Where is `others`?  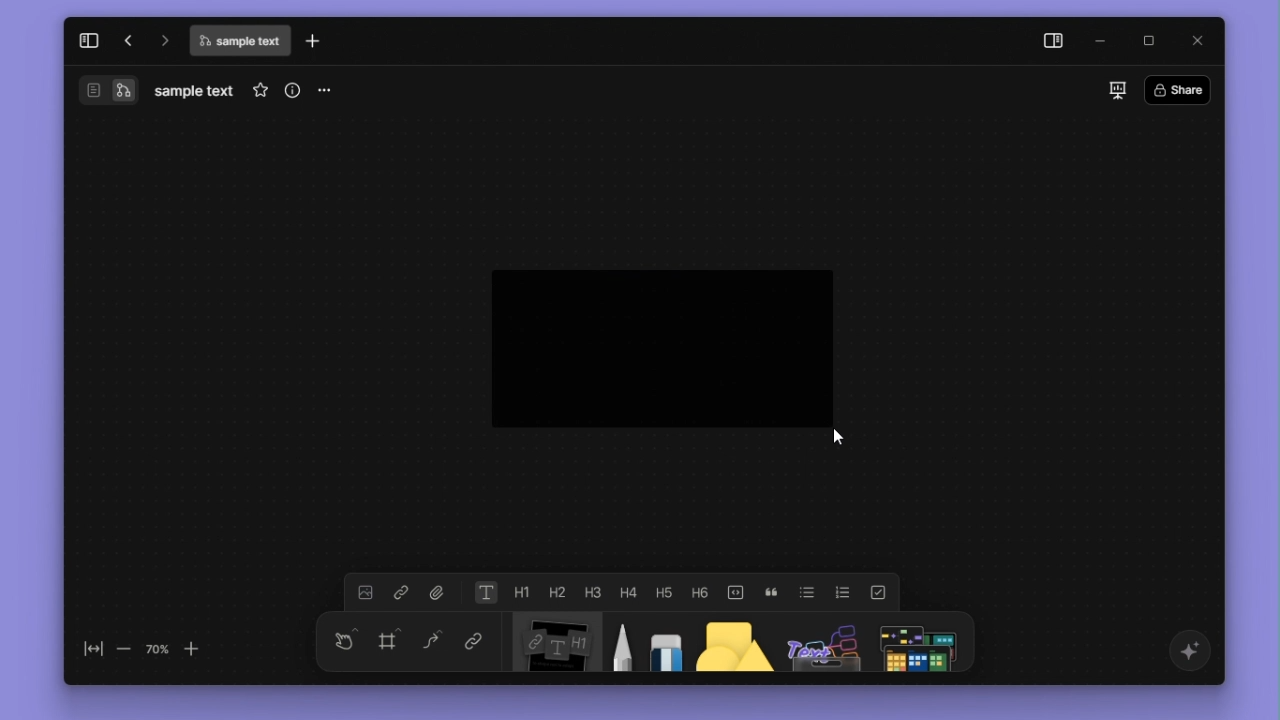 others is located at coordinates (819, 644).